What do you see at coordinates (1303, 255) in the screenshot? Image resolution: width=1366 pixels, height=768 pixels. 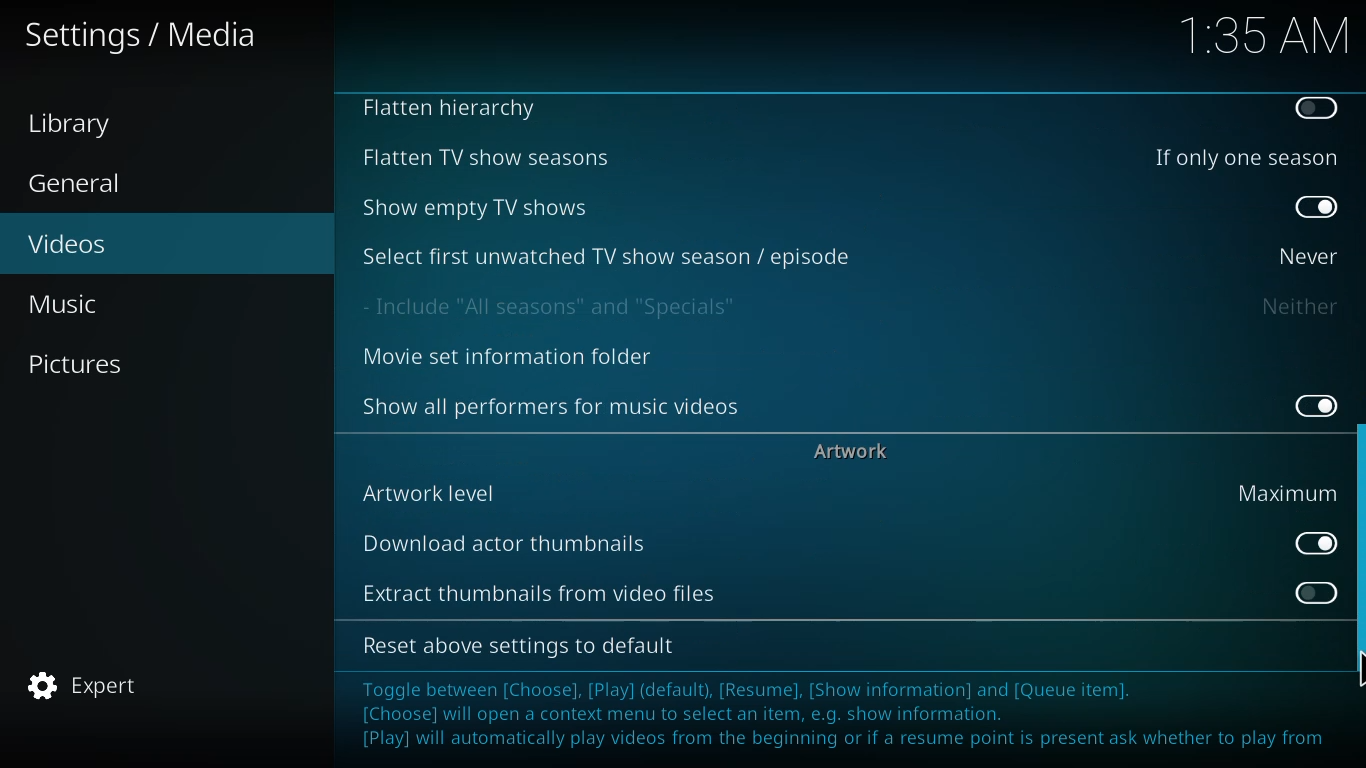 I see `never` at bounding box center [1303, 255].